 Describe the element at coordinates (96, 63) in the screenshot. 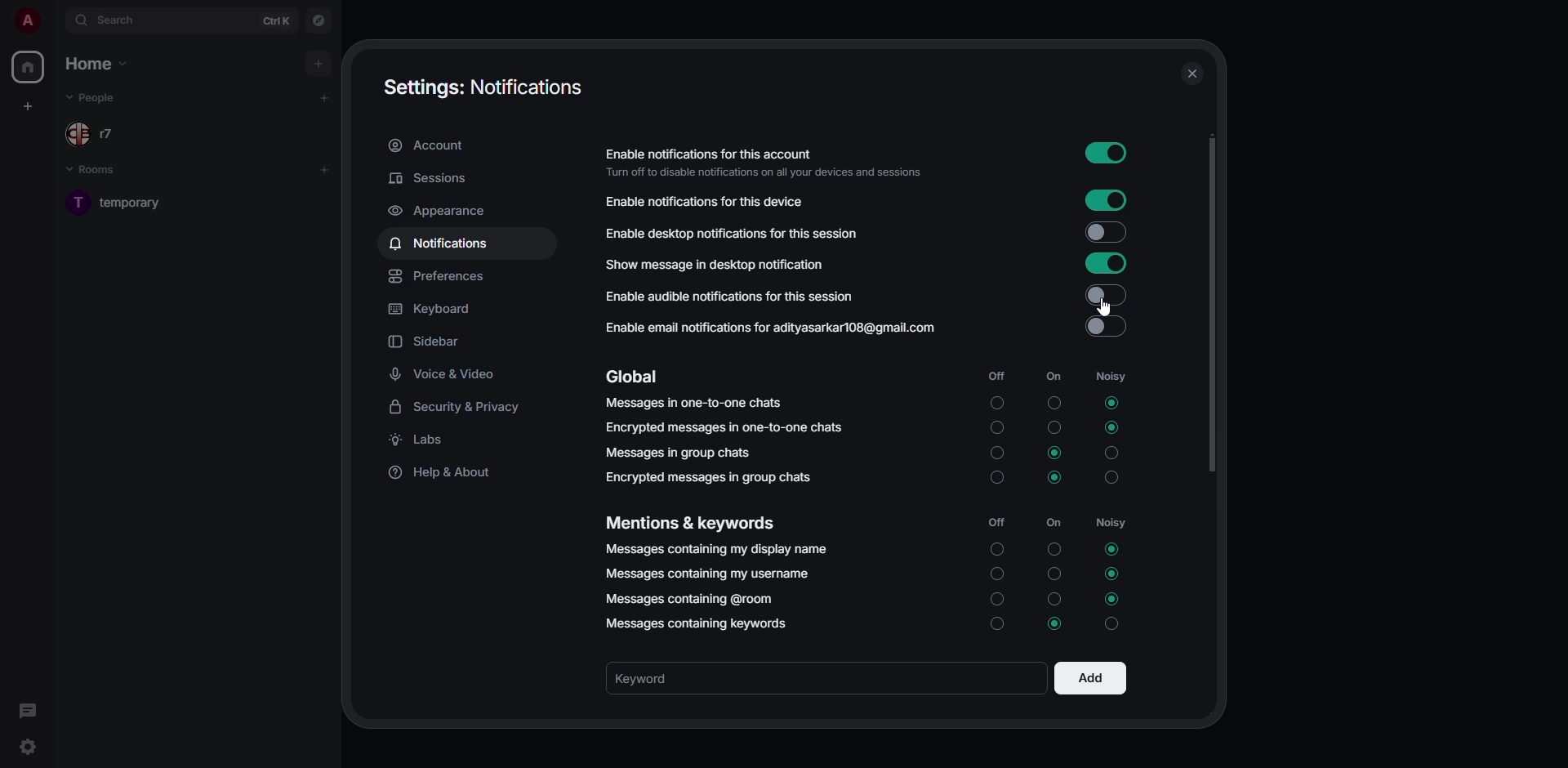

I see `home` at that location.